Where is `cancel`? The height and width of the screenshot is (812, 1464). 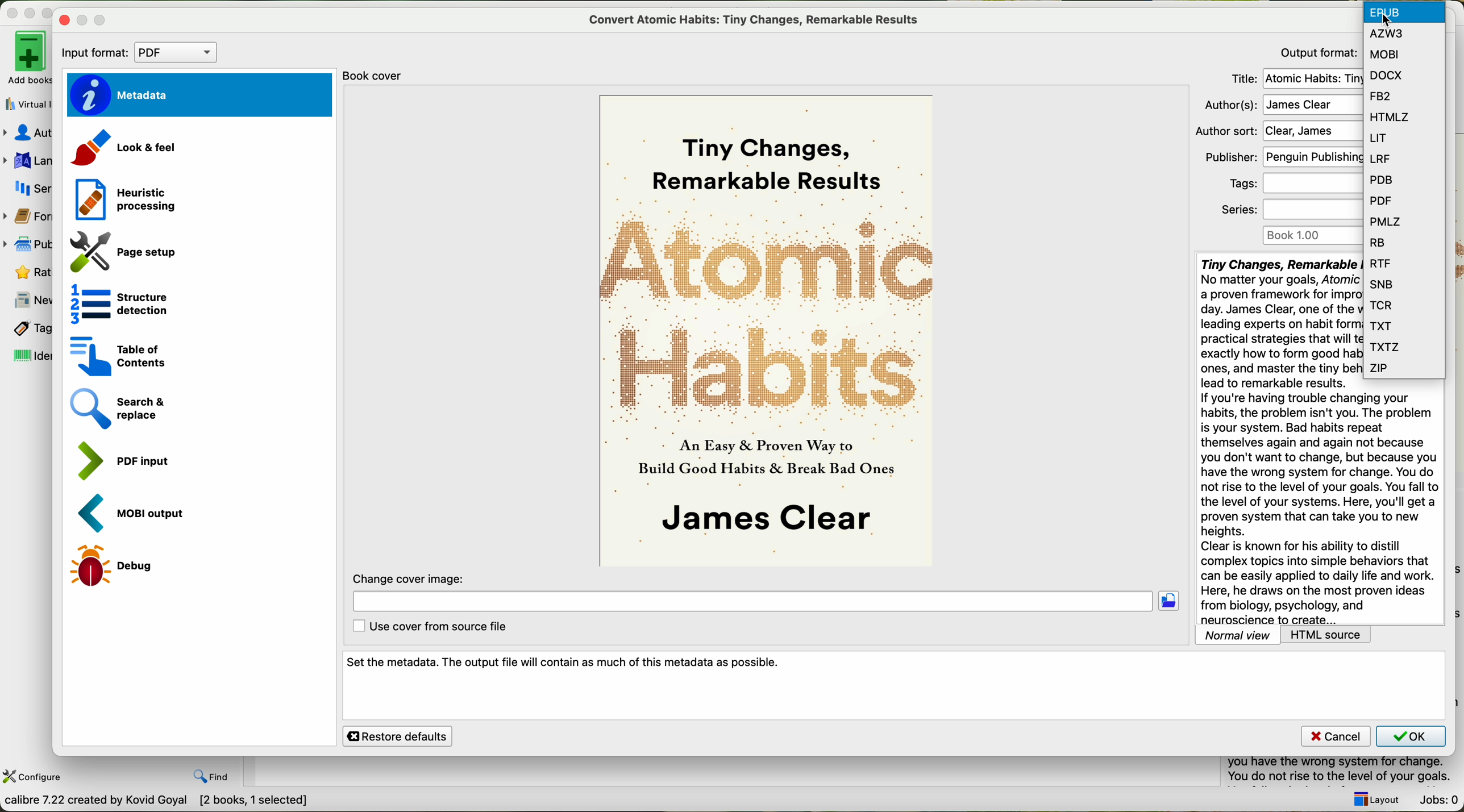
cancel is located at coordinates (1335, 735).